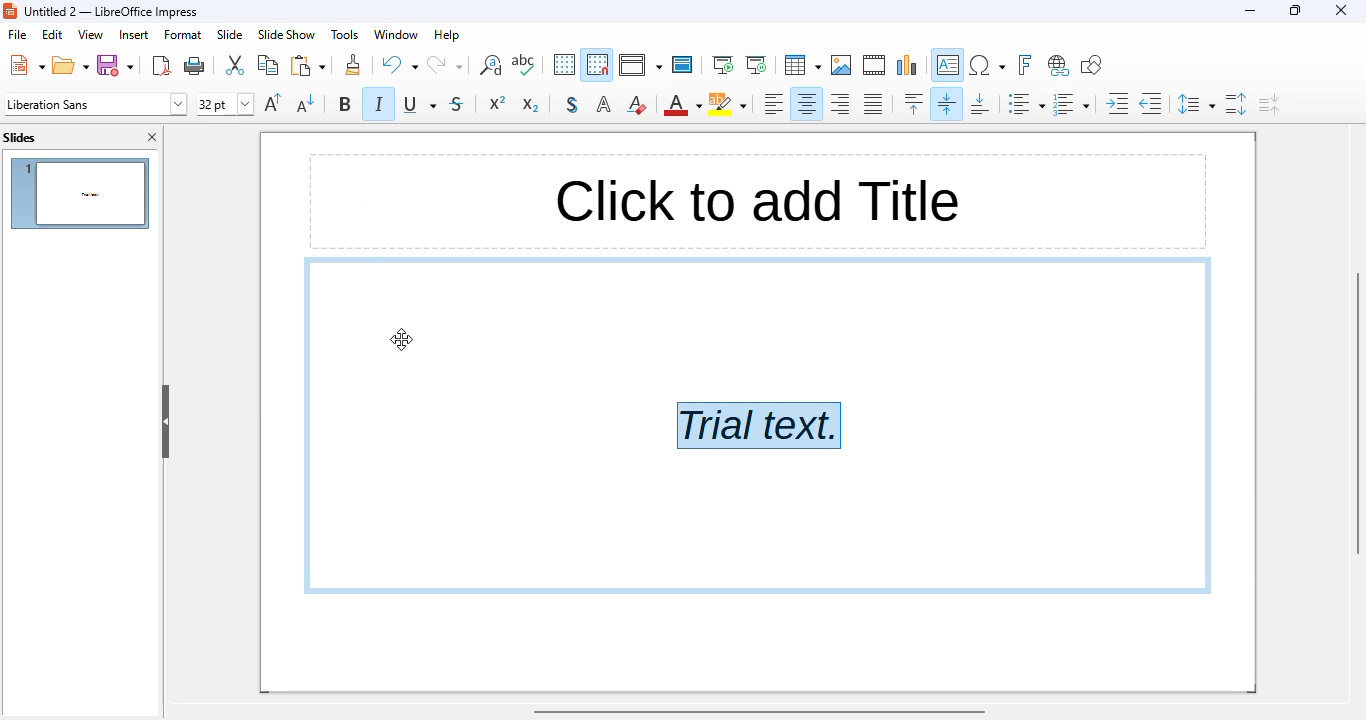  Describe the element at coordinates (457, 103) in the screenshot. I see `strikethrough` at that location.